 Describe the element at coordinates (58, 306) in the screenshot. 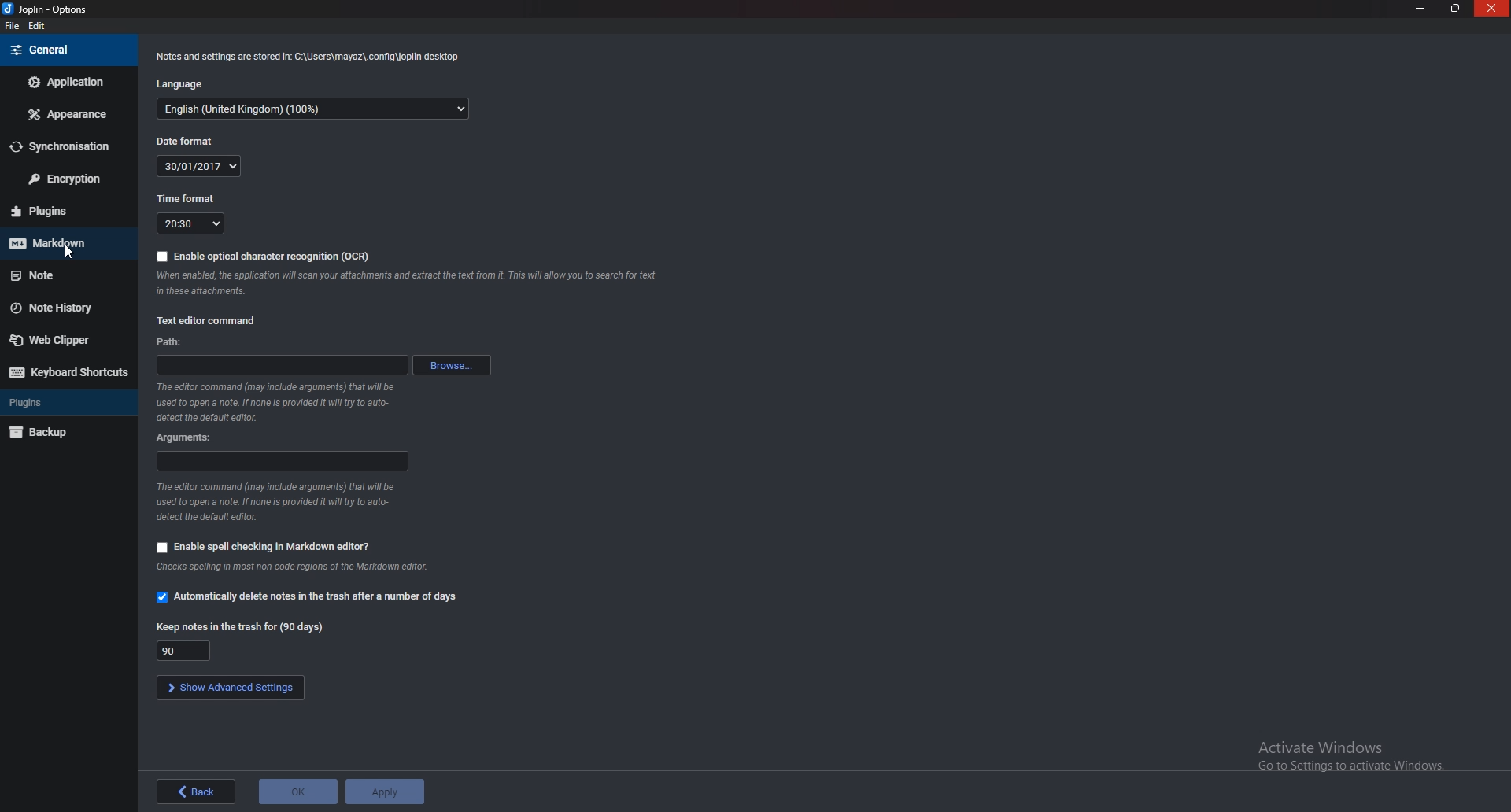

I see `Note history` at that location.